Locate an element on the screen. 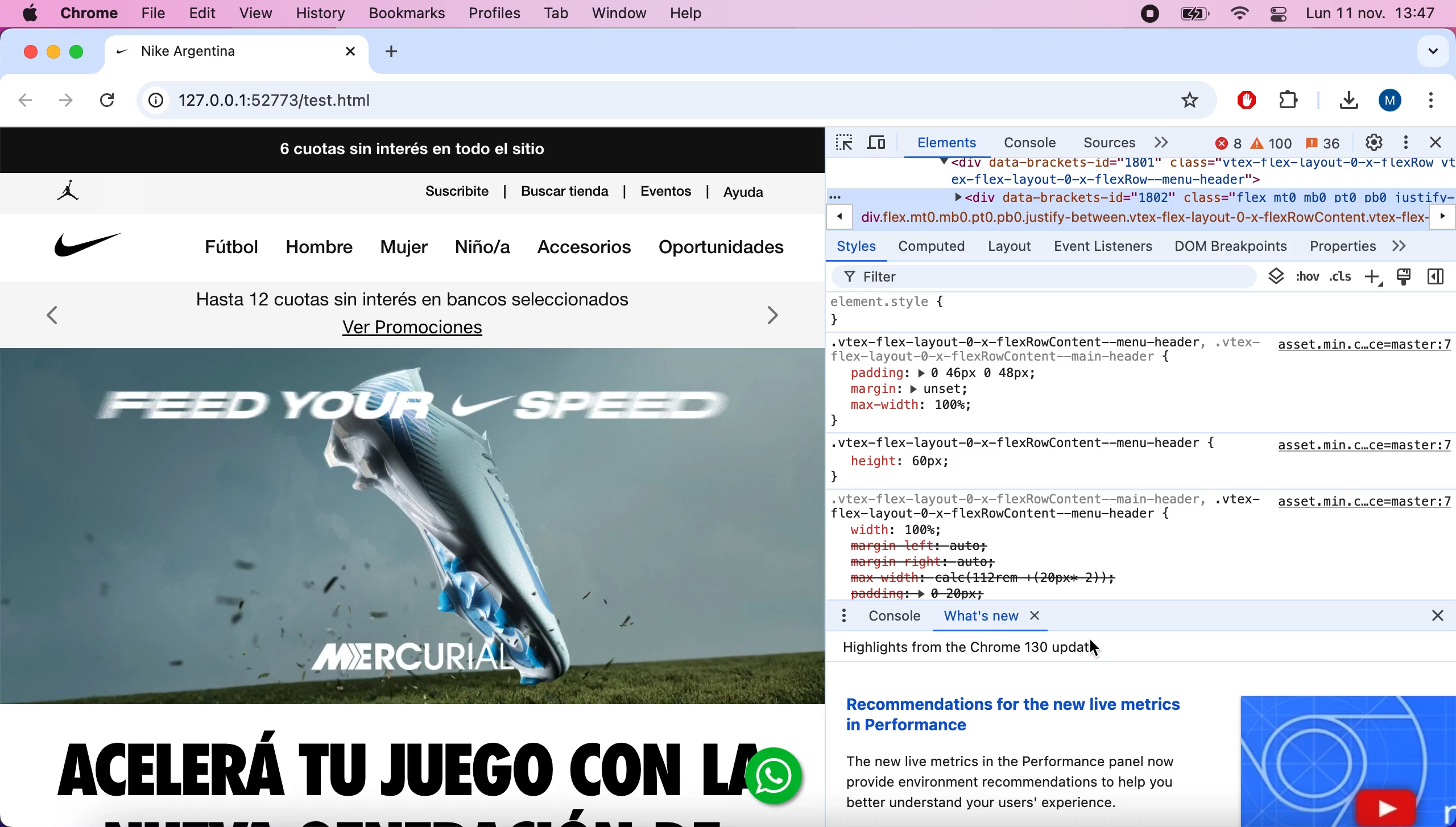 This screenshot has width=1456, height=827. what's next is located at coordinates (995, 617).